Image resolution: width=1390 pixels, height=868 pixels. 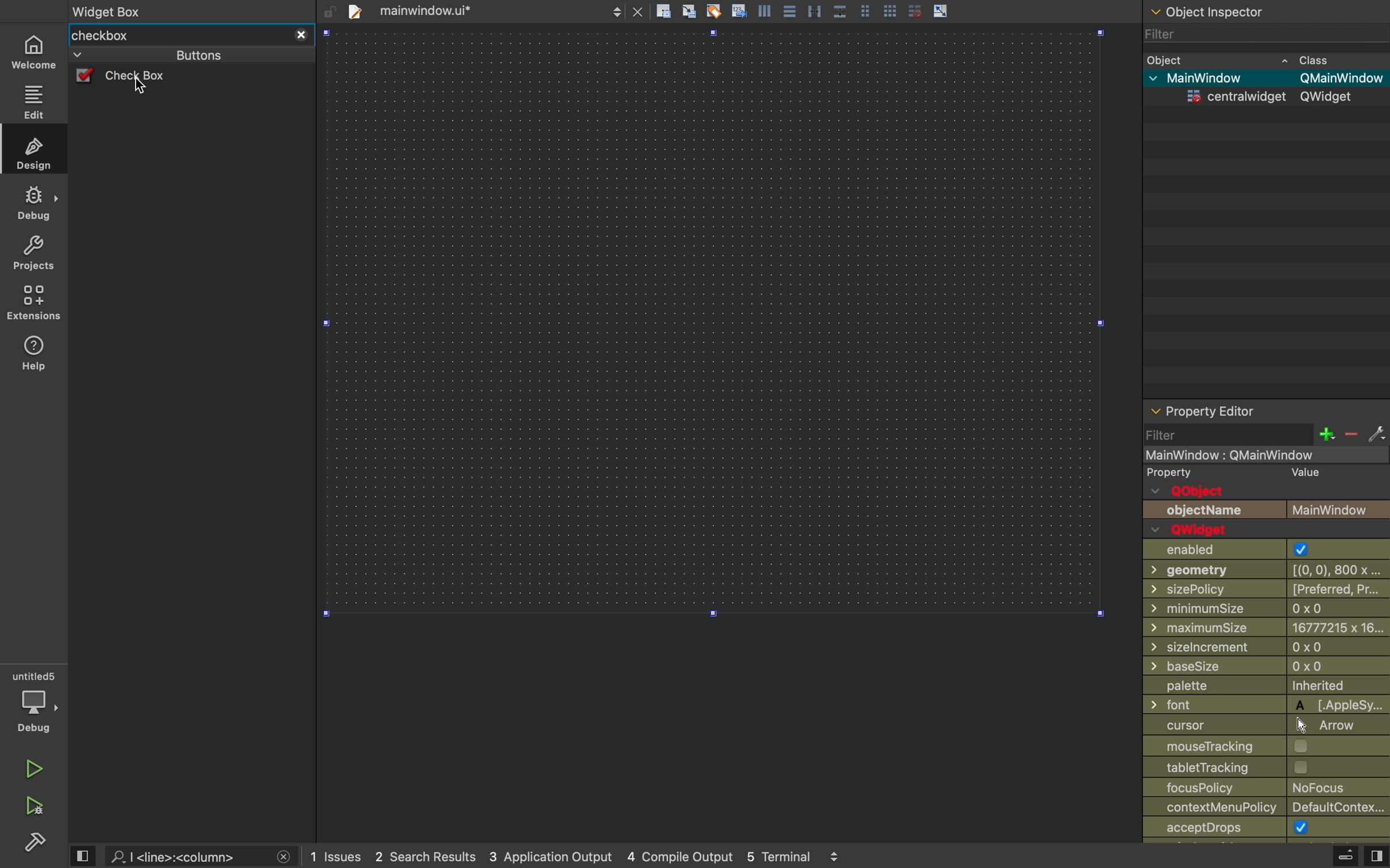 I want to click on mainwindow, so click(x=1266, y=78).